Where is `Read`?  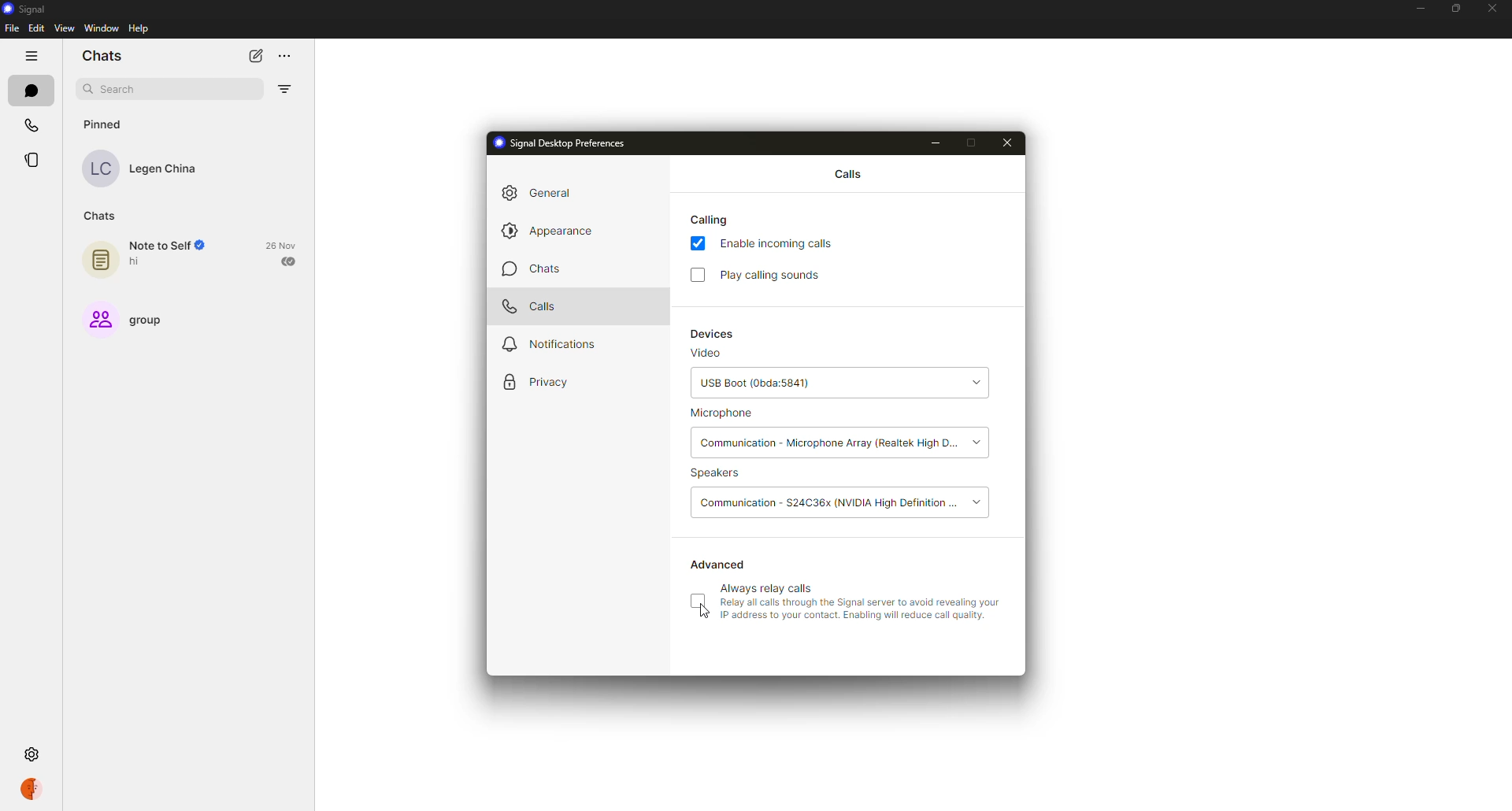
Read is located at coordinates (291, 262).